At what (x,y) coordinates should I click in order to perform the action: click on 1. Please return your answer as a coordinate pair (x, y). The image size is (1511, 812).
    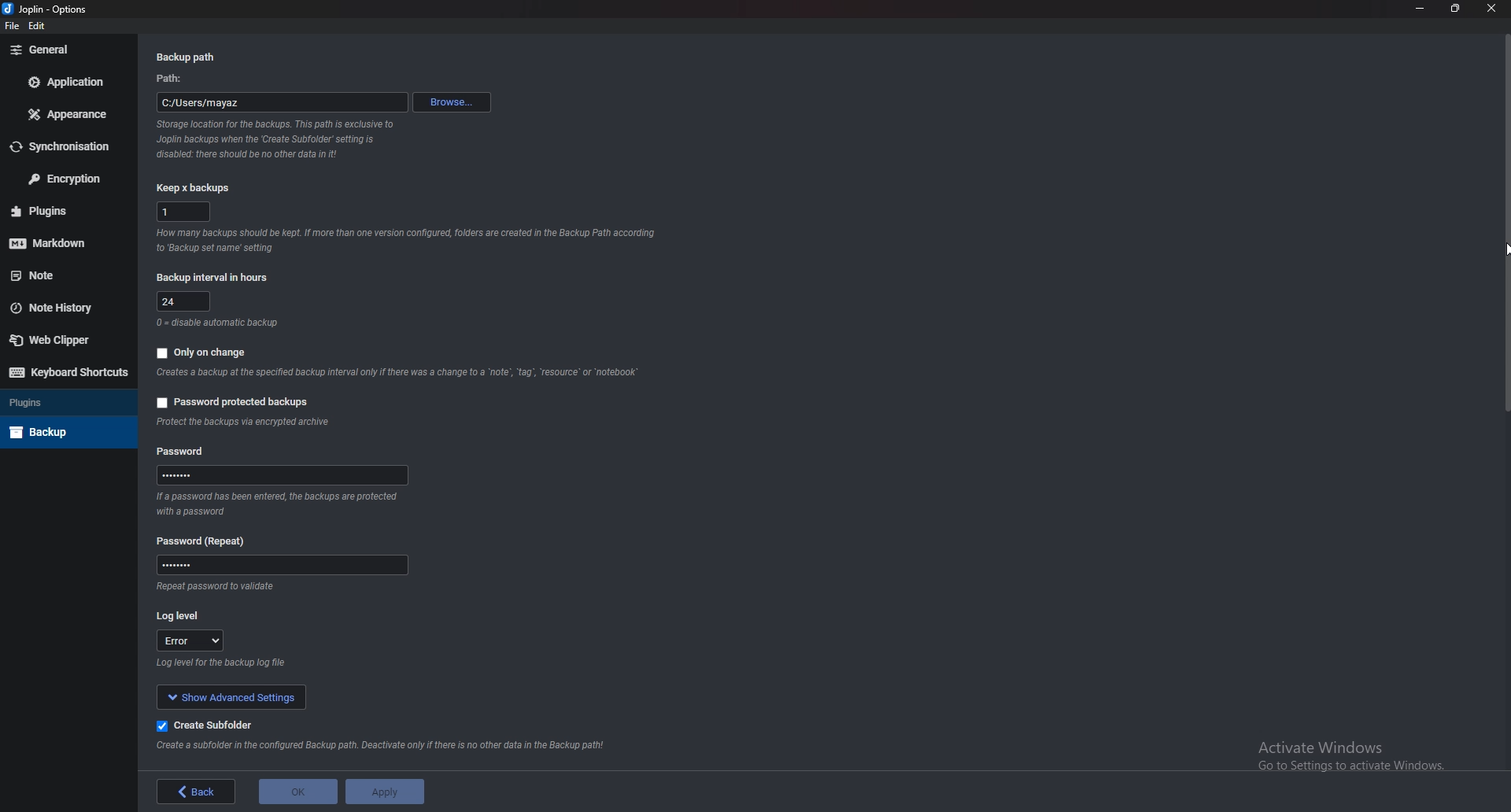
    Looking at the image, I should click on (183, 211).